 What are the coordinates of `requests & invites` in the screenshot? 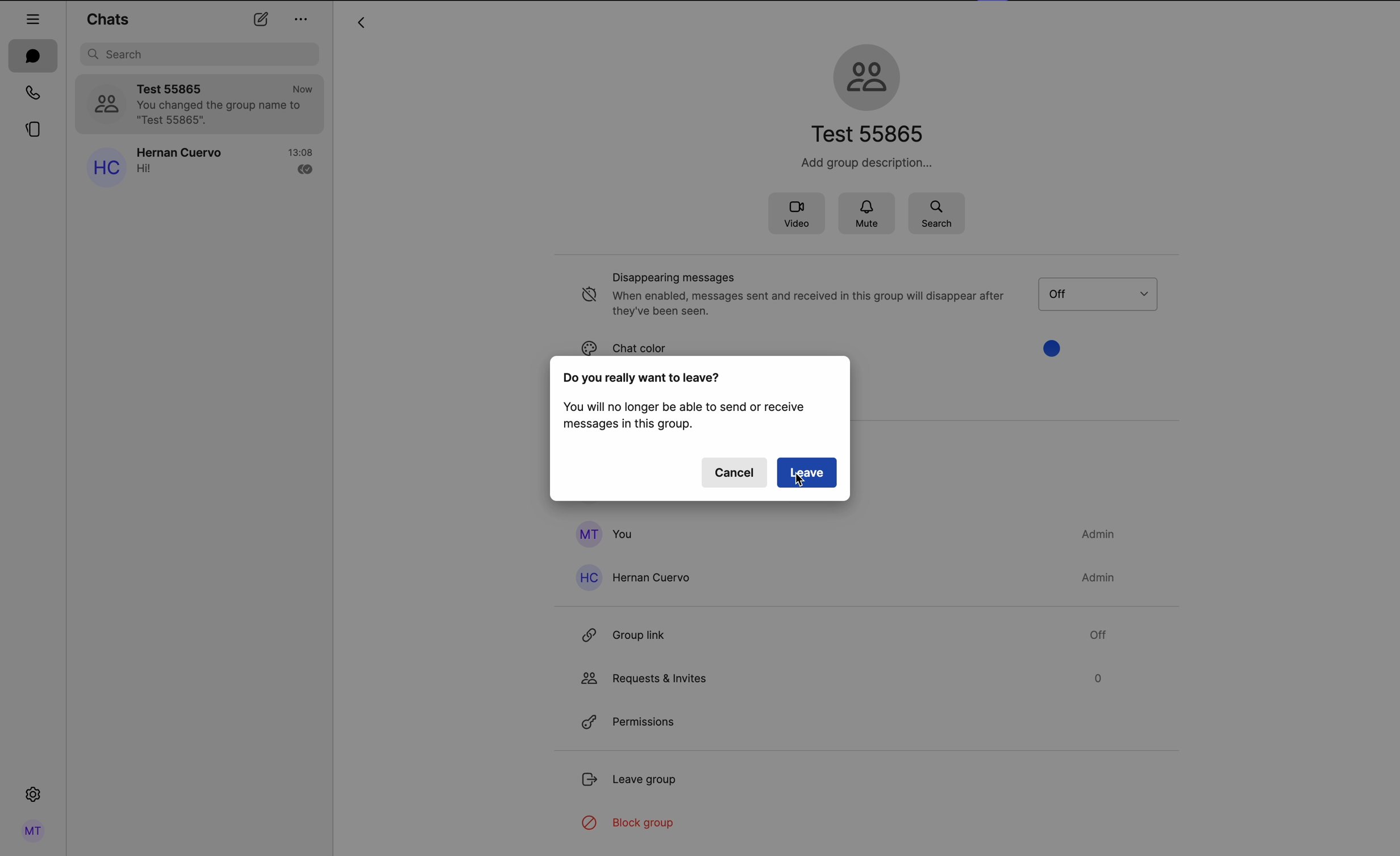 It's located at (841, 678).